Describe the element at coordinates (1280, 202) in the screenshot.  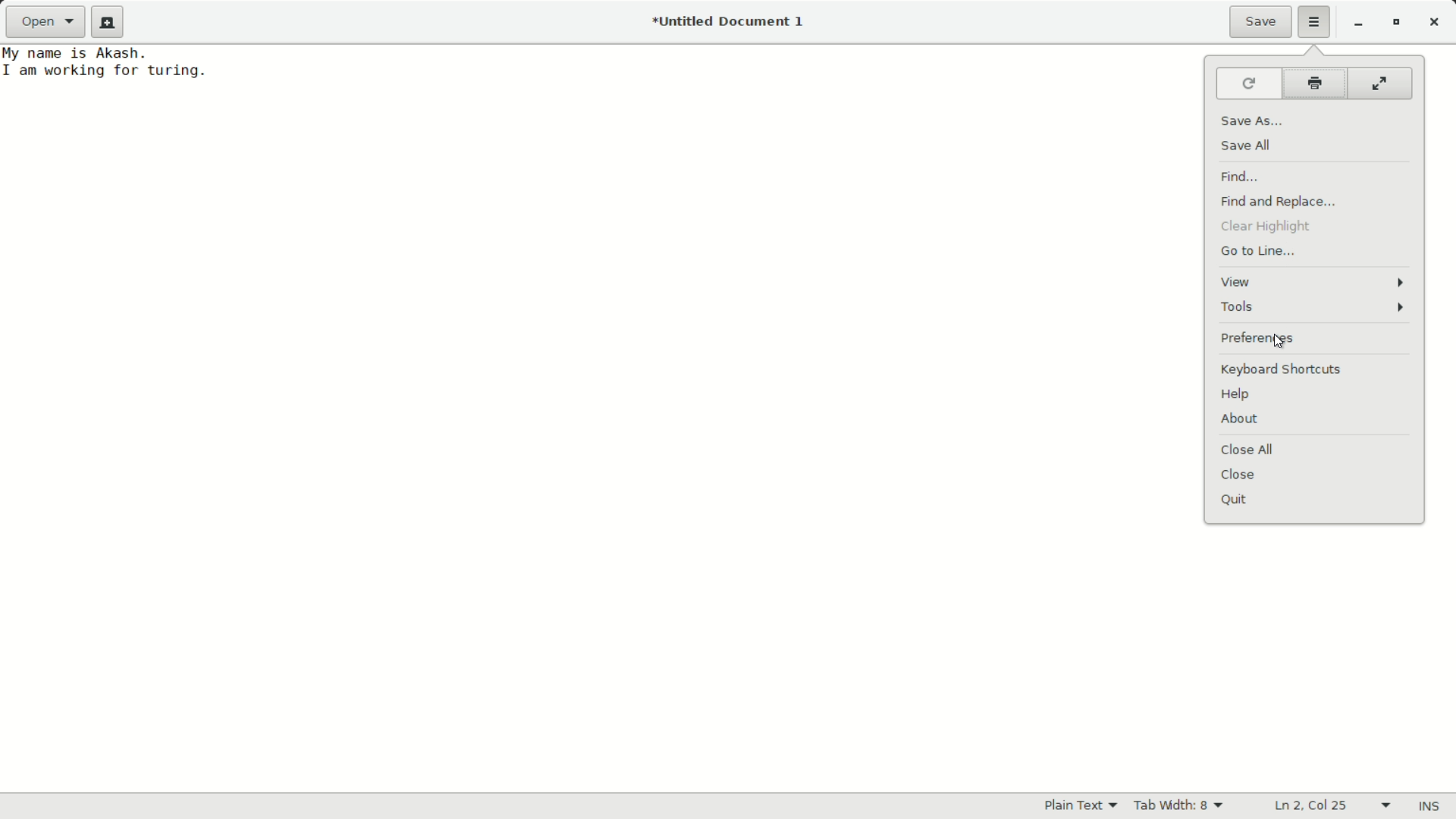
I see `find and replace` at that location.